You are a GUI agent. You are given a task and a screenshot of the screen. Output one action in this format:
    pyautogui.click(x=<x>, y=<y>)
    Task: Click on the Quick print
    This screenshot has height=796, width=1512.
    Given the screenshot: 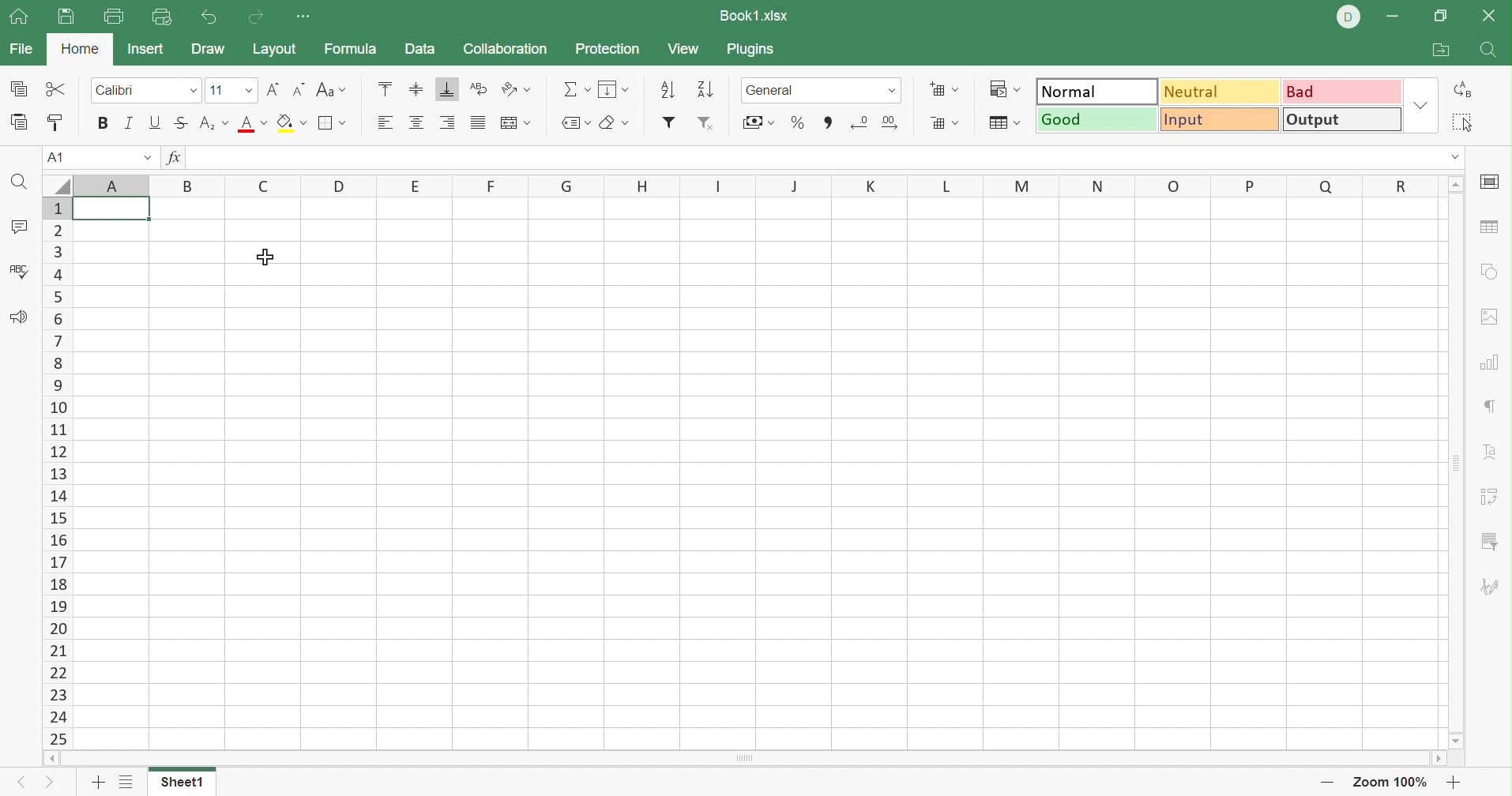 What is the action you would take?
    pyautogui.click(x=164, y=17)
    